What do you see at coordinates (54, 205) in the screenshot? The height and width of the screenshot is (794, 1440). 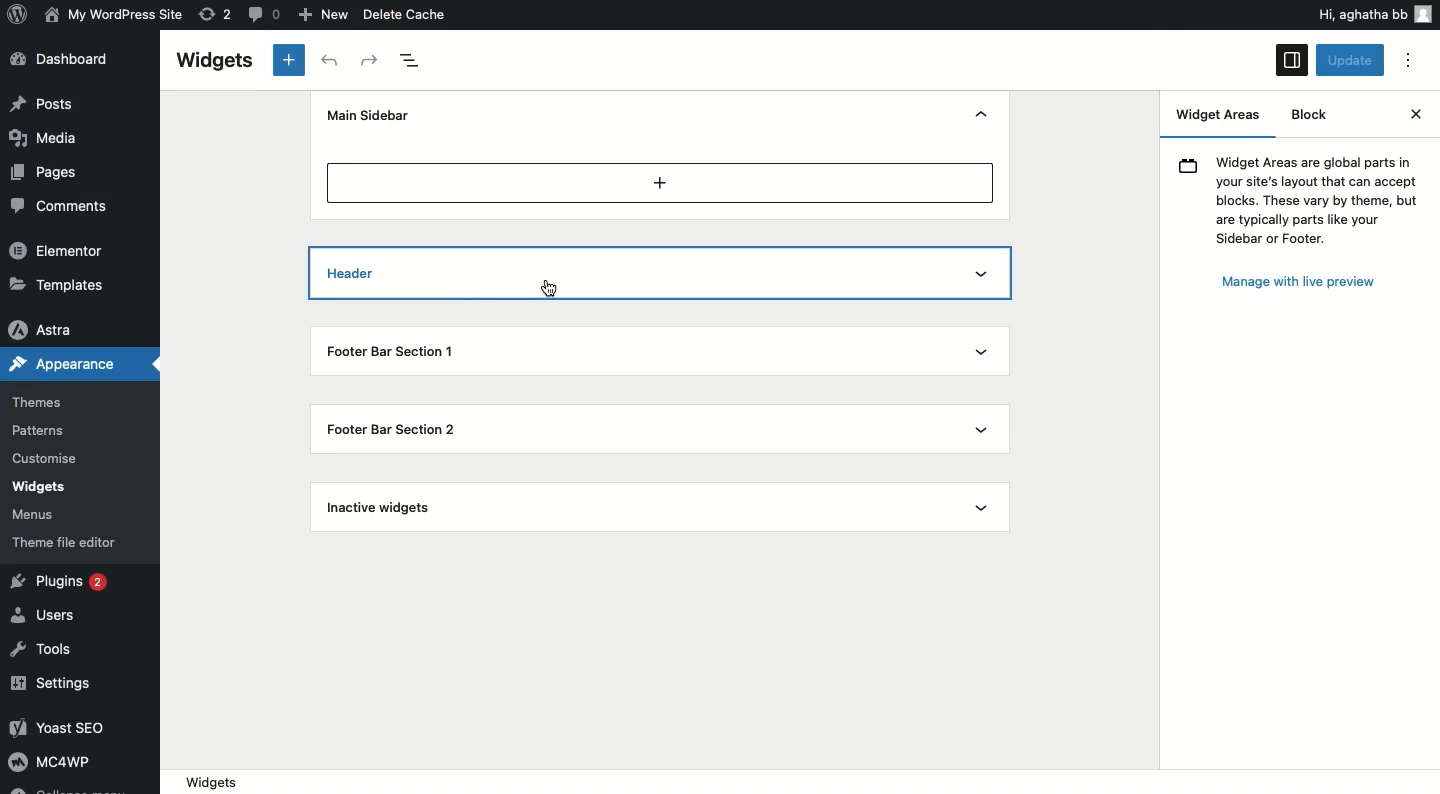 I see `Comments` at bounding box center [54, 205].